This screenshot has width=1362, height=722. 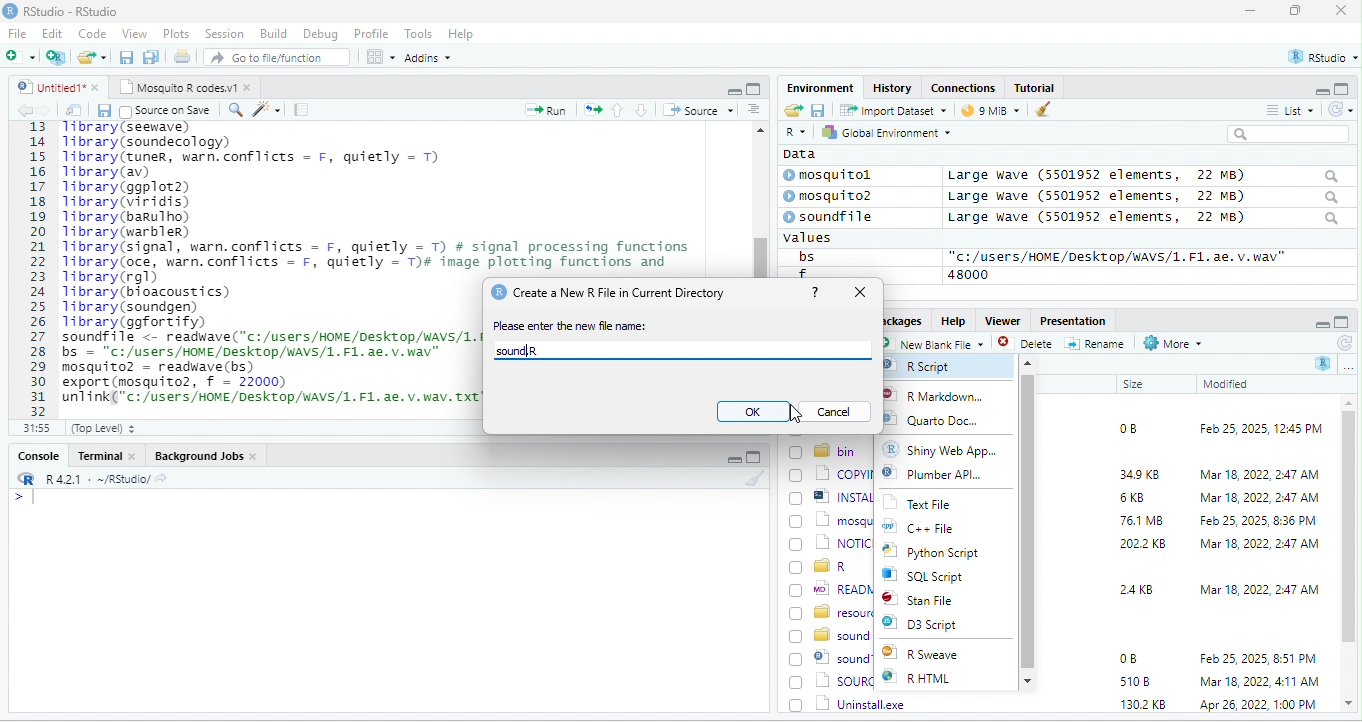 I want to click on Rscript, so click(x=925, y=366).